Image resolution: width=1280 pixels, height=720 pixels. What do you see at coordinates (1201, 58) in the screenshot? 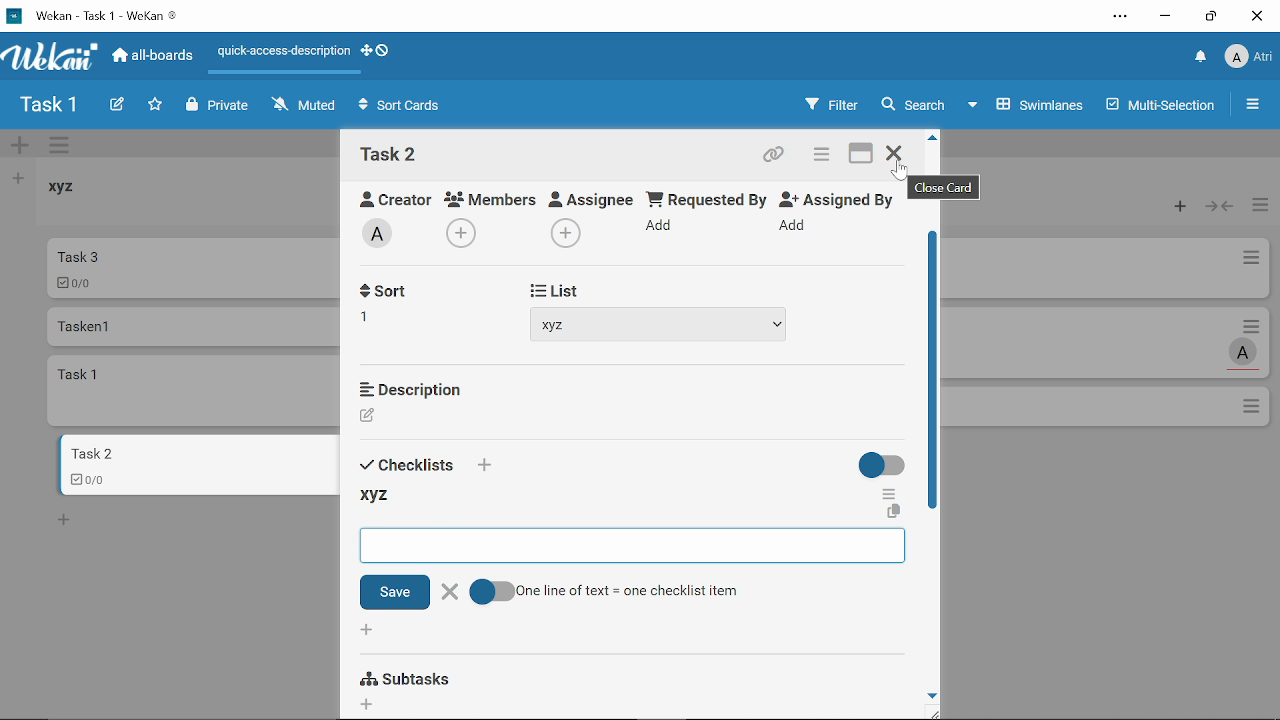
I see `Notifications` at bounding box center [1201, 58].